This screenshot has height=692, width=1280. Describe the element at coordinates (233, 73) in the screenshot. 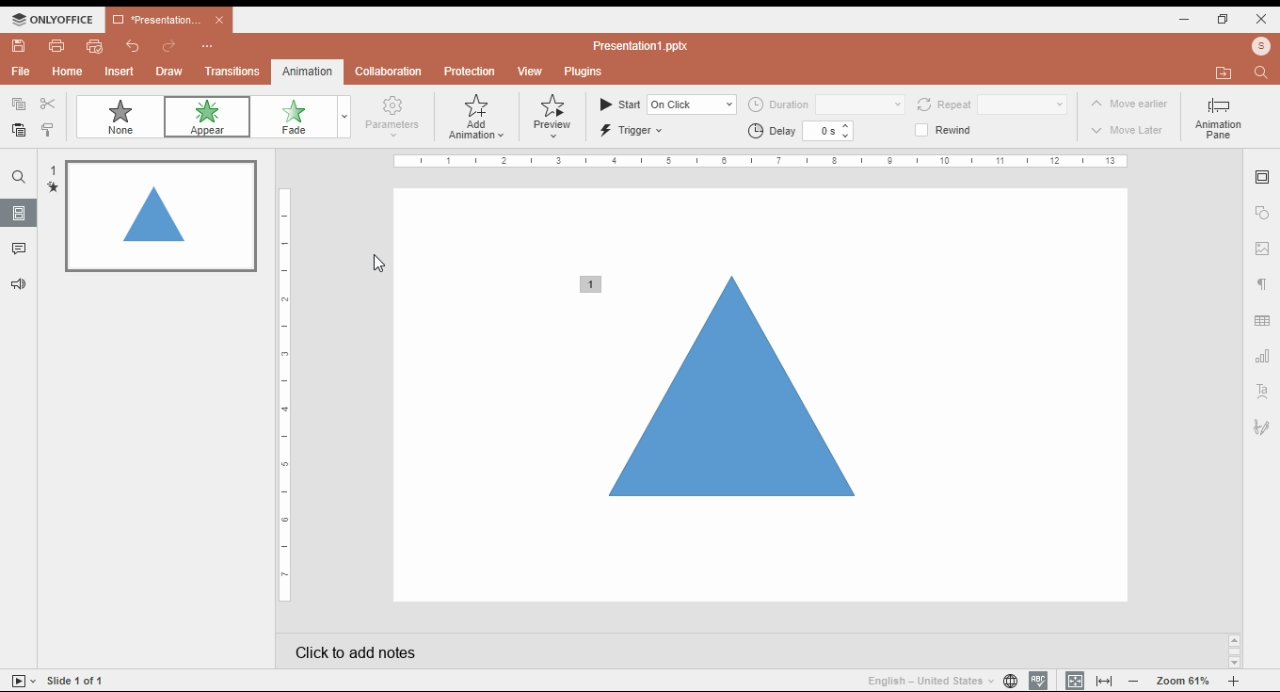

I see `transitions` at that location.